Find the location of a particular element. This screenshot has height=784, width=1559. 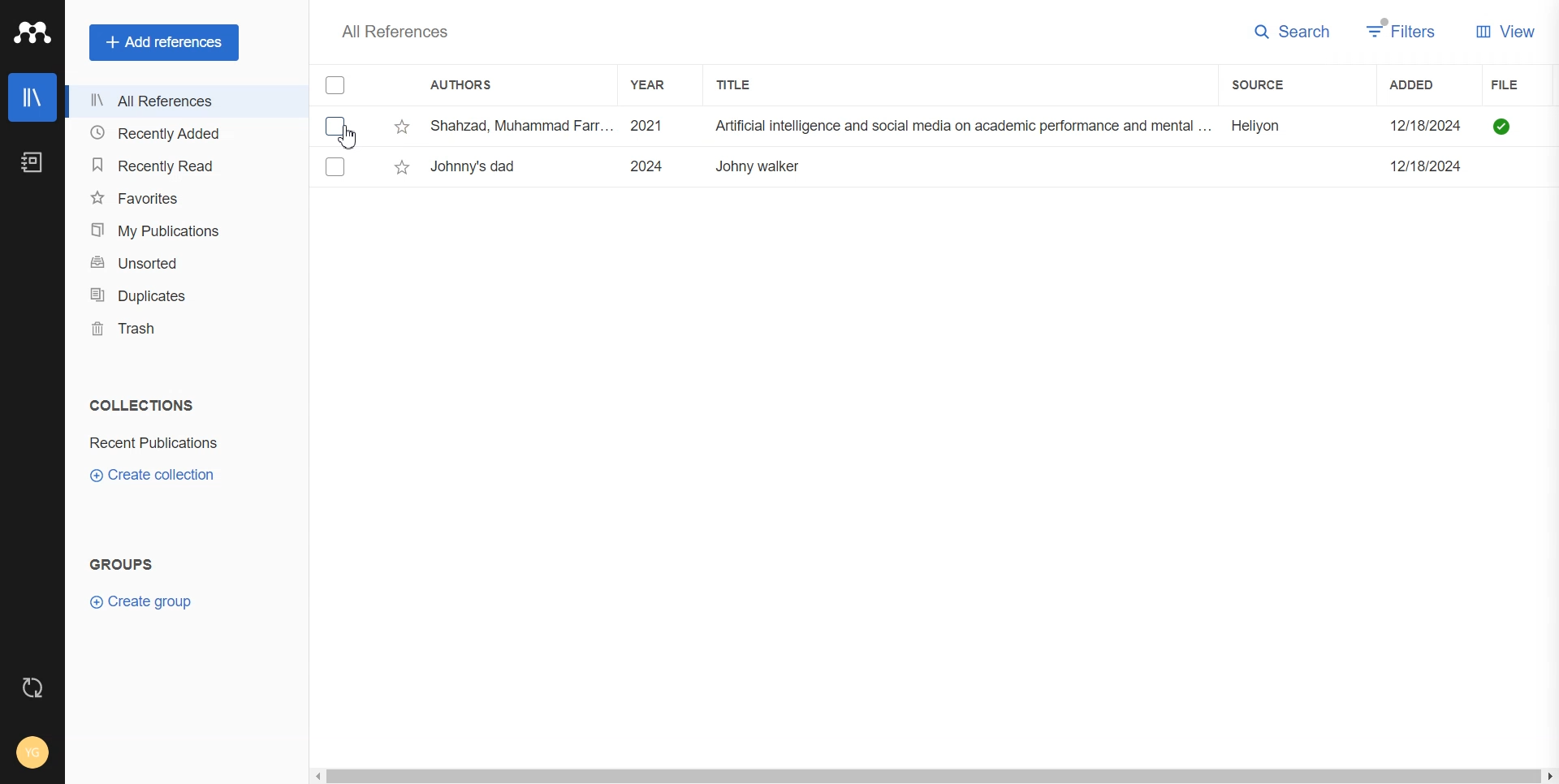

Add references is located at coordinates (164, 42).